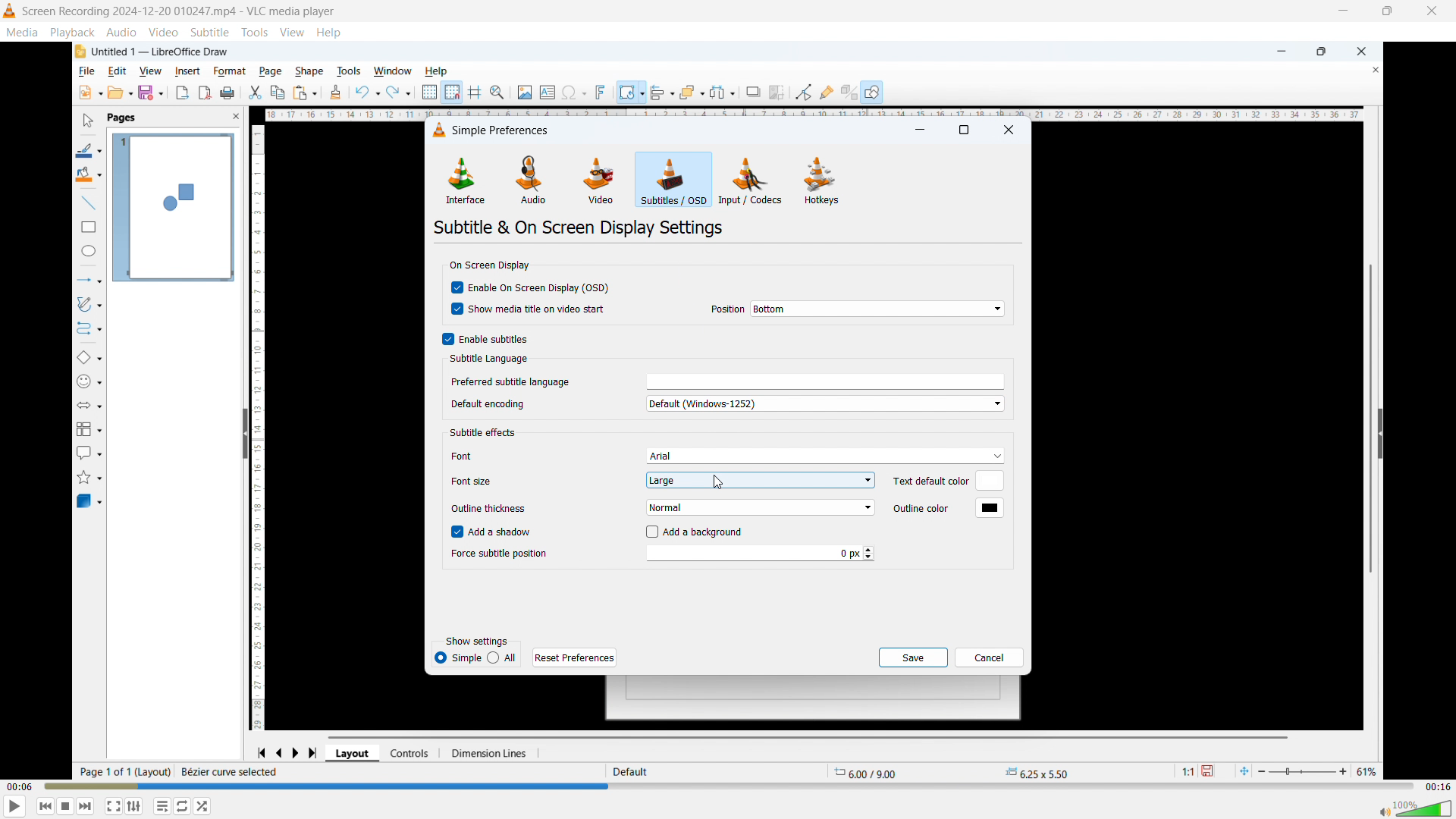  I want to click on Font, so click(462, 457).